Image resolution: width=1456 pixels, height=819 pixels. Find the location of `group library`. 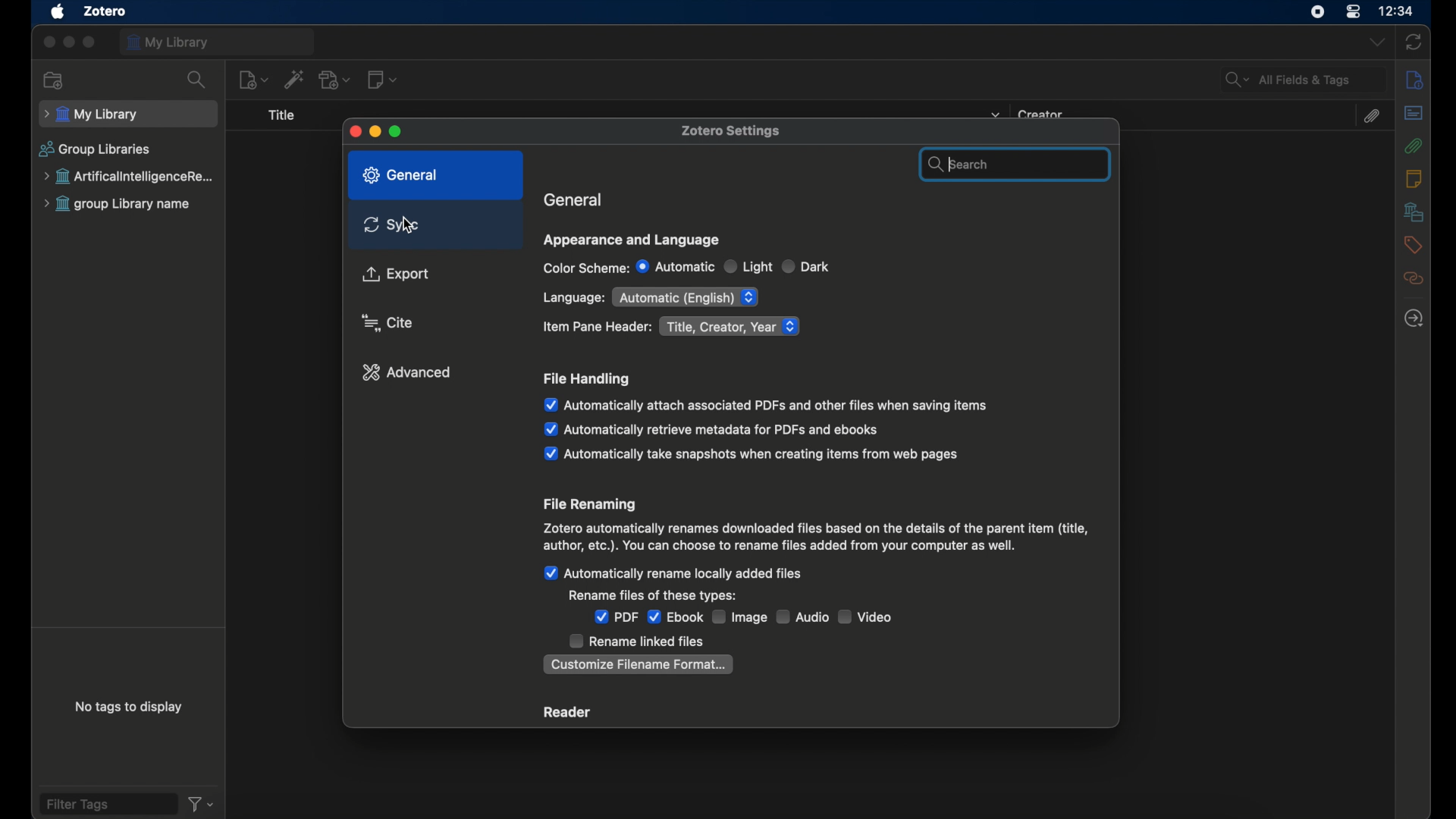

group library is located at coordinates (131, 177).